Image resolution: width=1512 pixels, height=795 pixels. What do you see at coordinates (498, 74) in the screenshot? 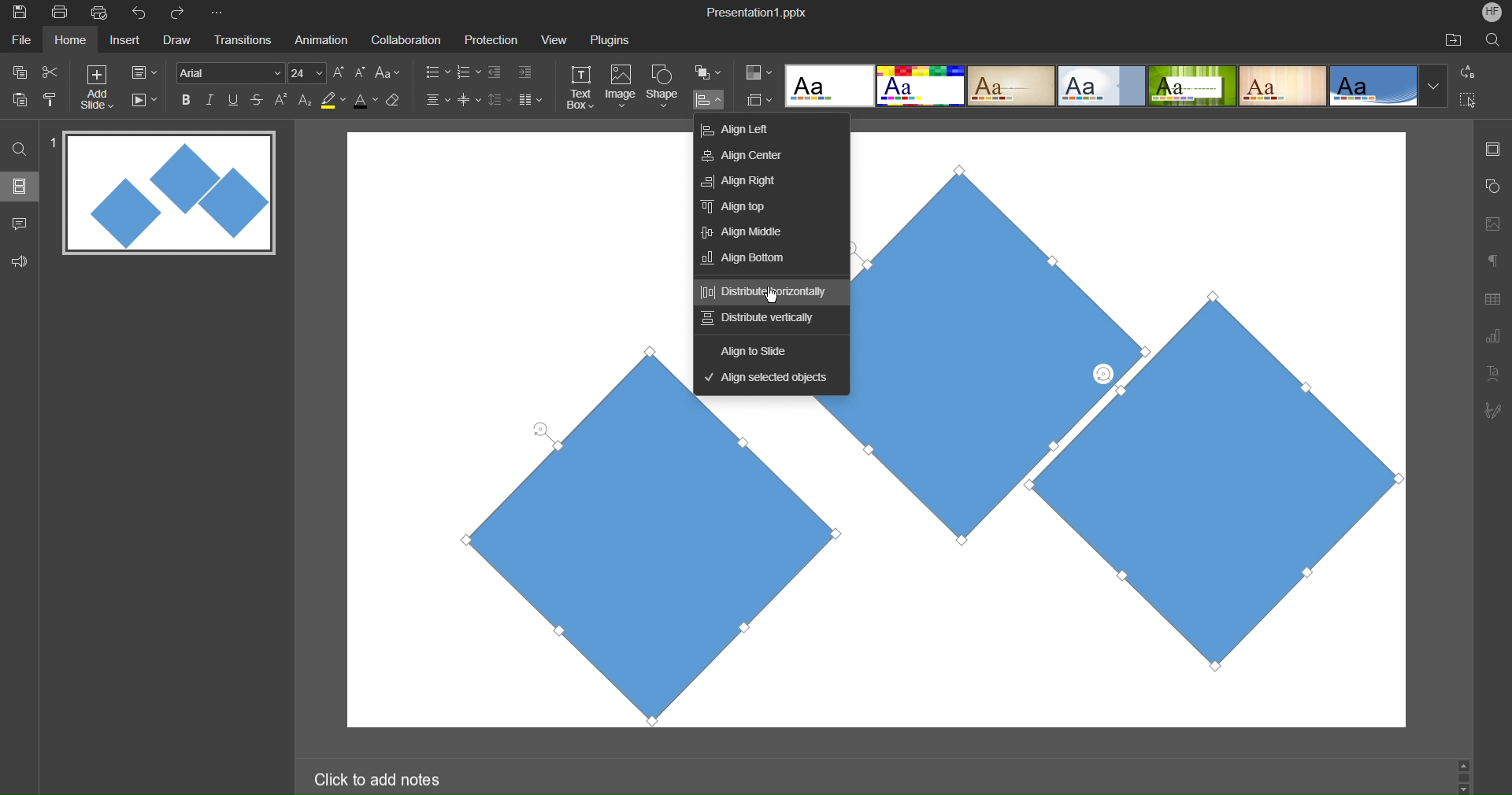
I see `Decrease indent` at bounding box center [498, 74].